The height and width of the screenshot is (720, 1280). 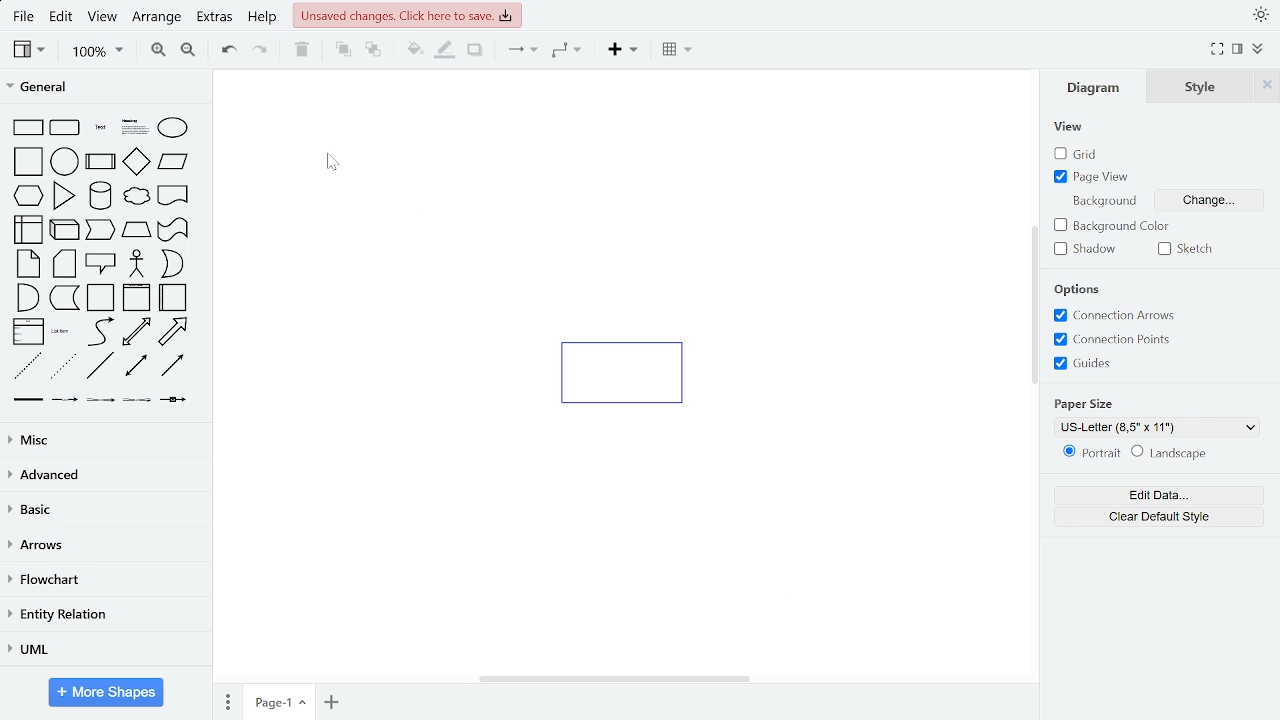 What do you see at coordinates (1034, 304) in the screenshot?
I see `vertical scrollbar` at bounding box center [1034, 304].